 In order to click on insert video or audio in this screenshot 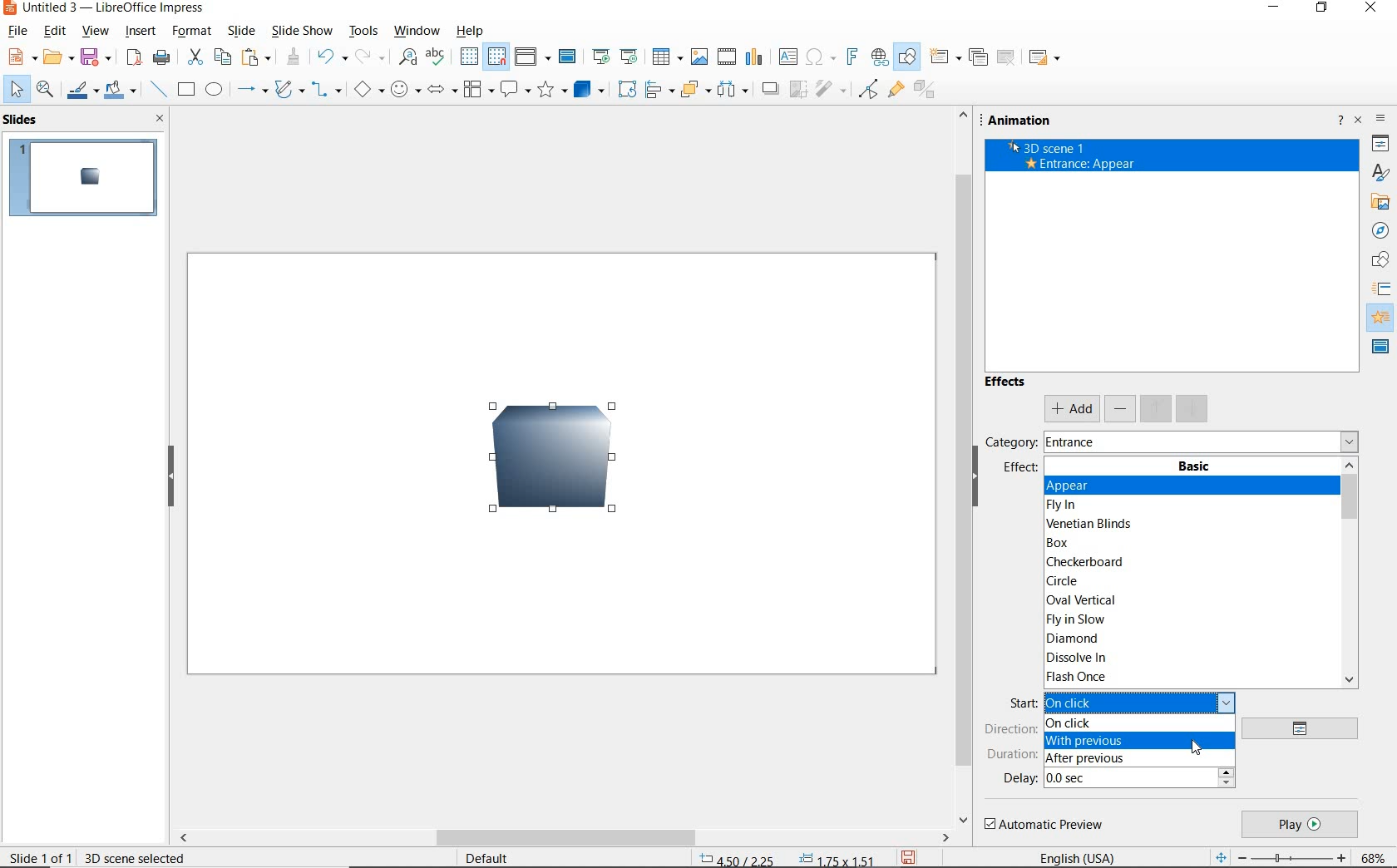, I will do `click(728, 57)`.